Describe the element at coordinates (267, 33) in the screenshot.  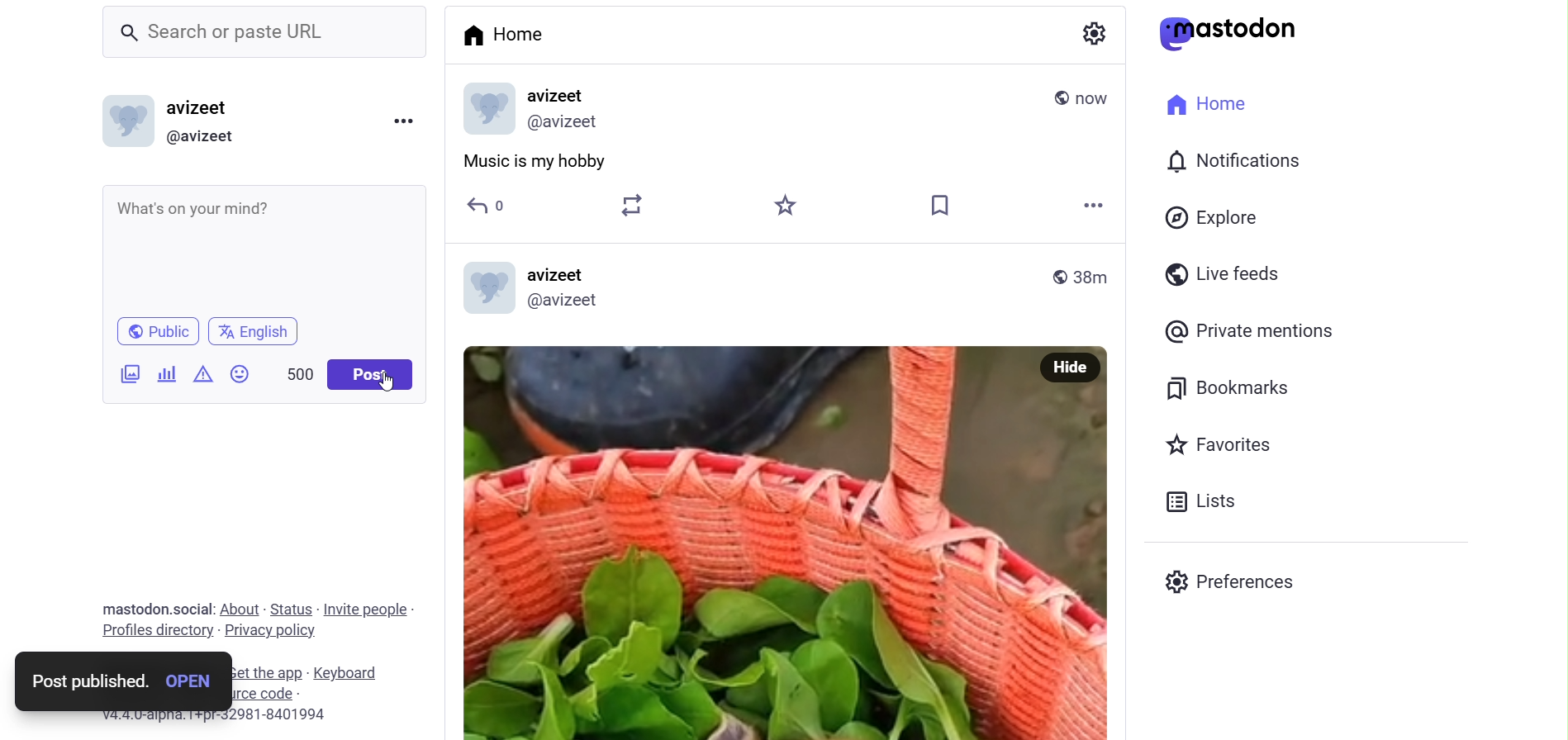
I see `Search or paste URL` at that location.